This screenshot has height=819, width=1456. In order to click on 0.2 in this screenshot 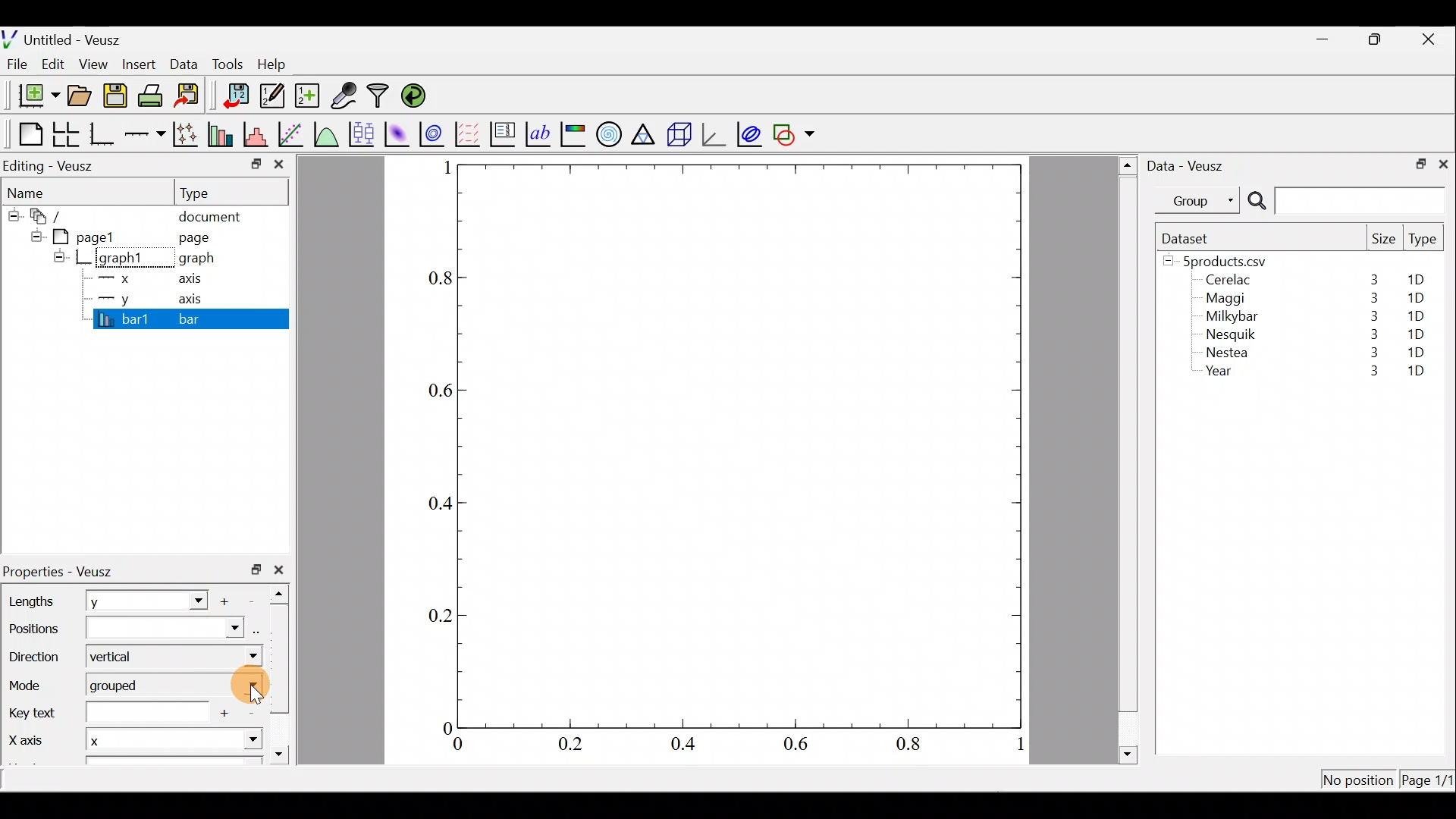, I will do `click(441, 614)`.